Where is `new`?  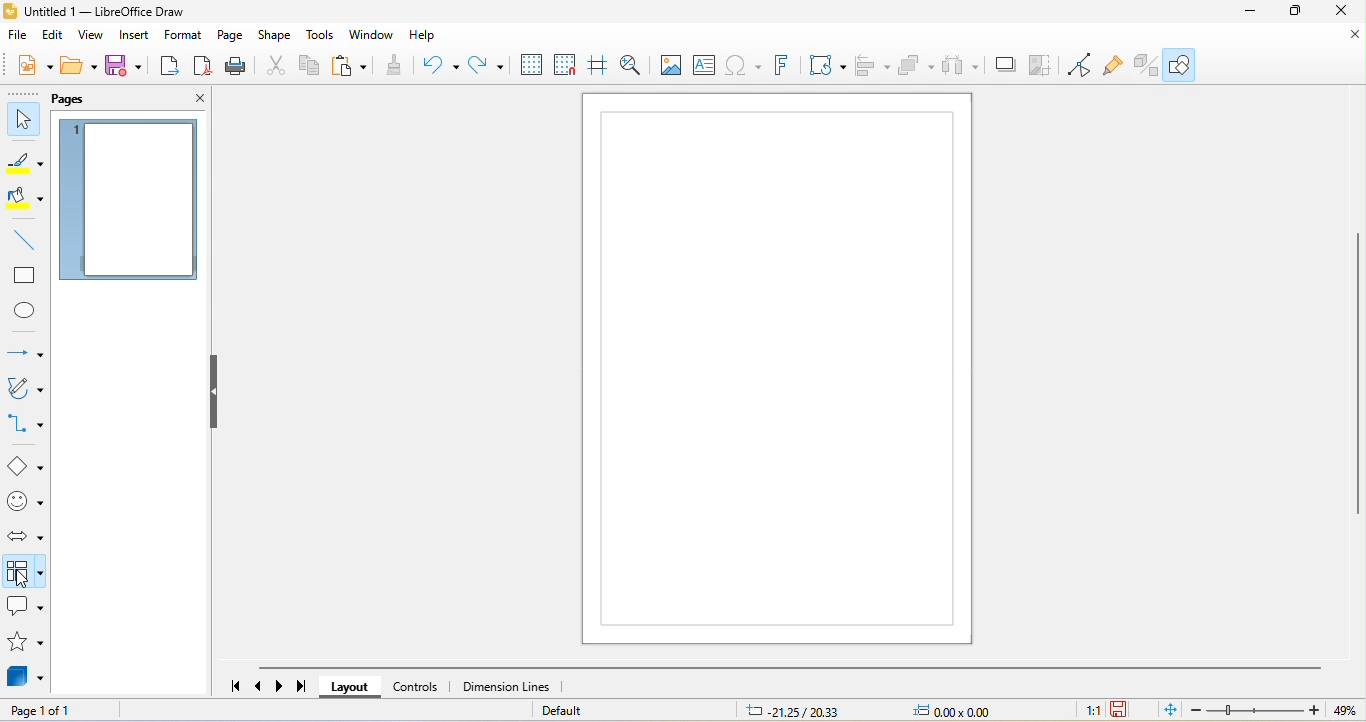
new is located at coordinates (35, 64).